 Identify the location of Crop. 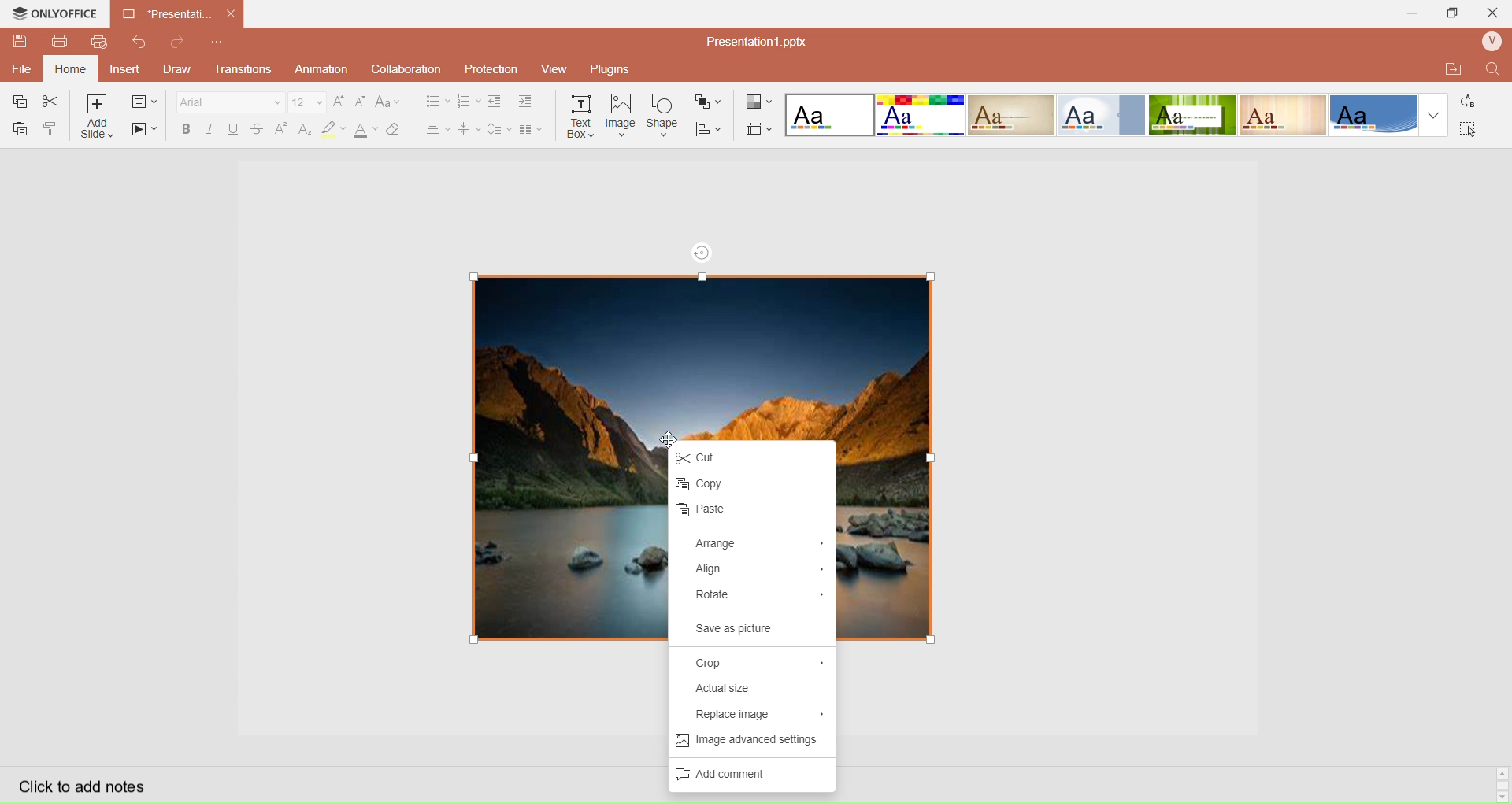
(753, 663).